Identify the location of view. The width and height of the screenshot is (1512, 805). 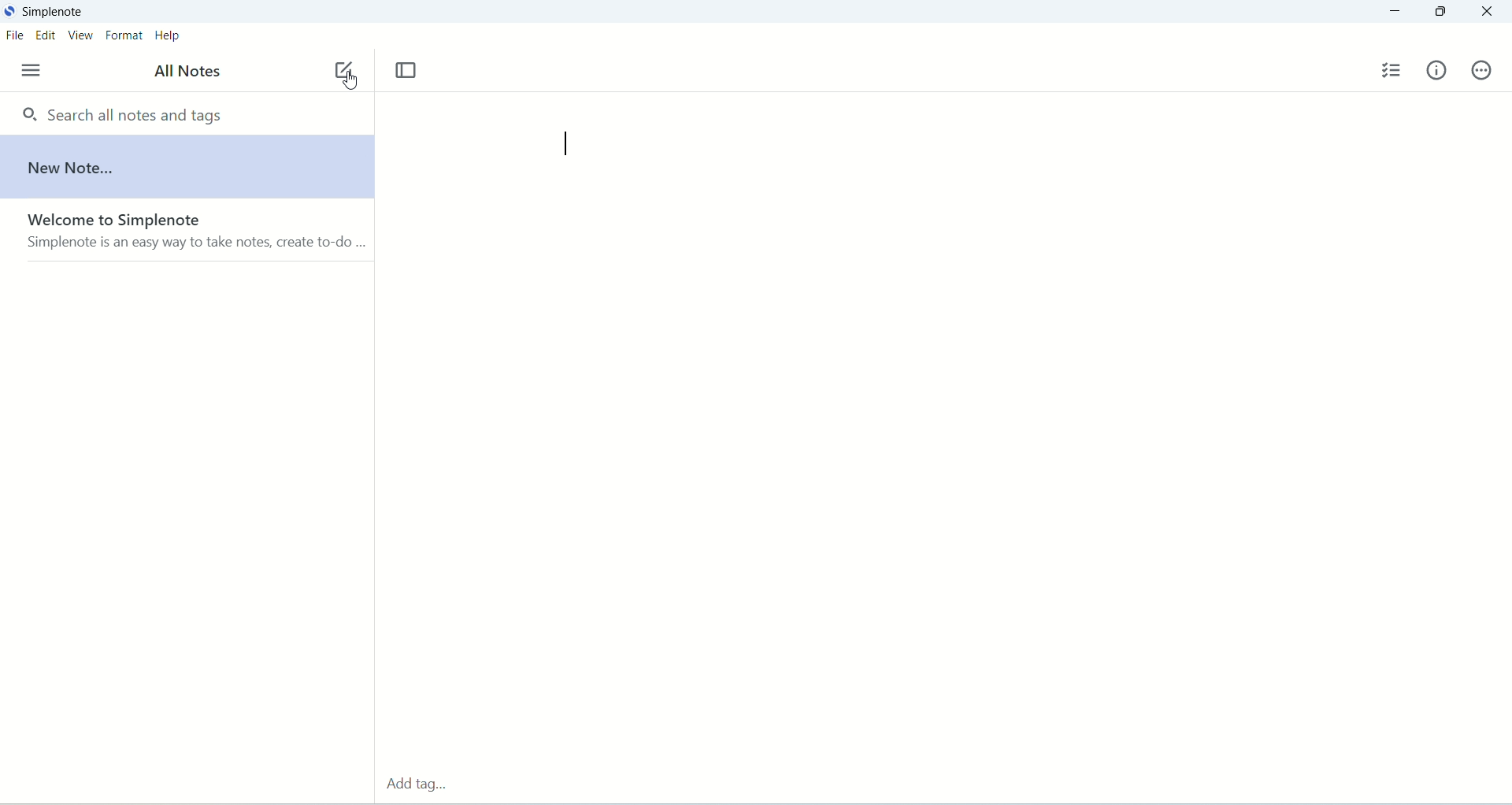
(81, 37).